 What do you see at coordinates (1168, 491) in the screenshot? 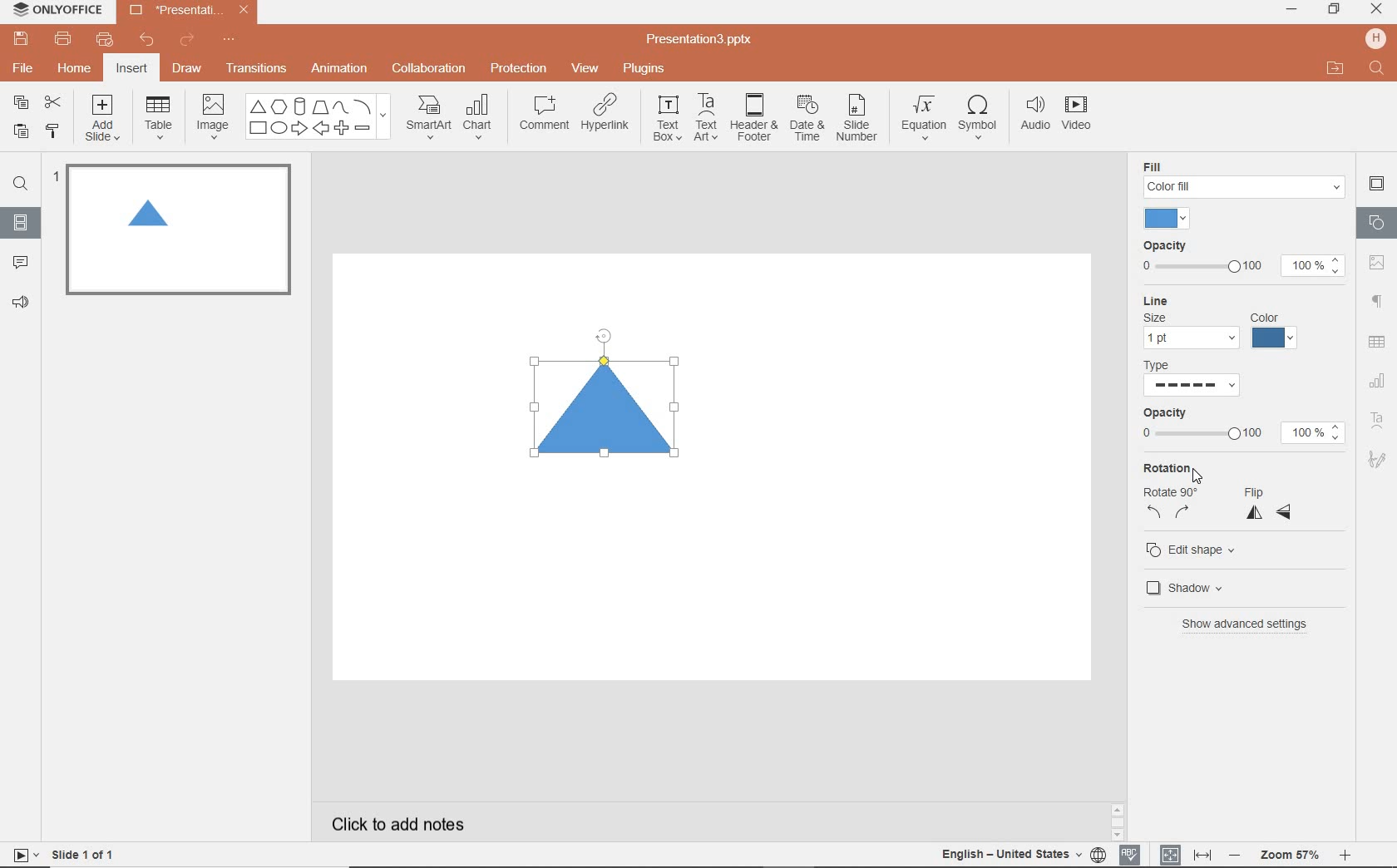
I see `rotation` at bounding box center [1168, 491].